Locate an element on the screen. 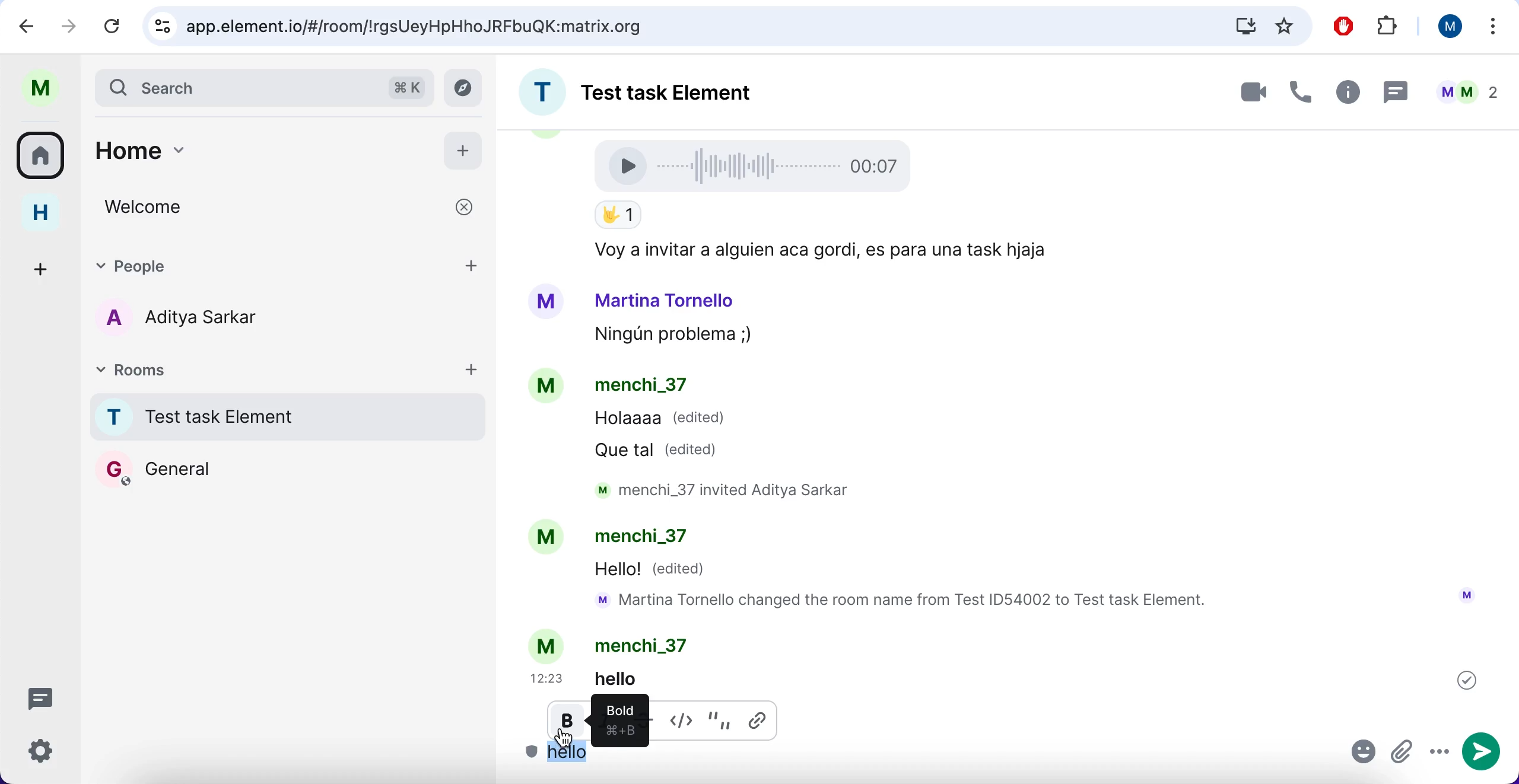 The height and width of the screenshot is (784, 1519). backward is located at coordinates (27, 25).